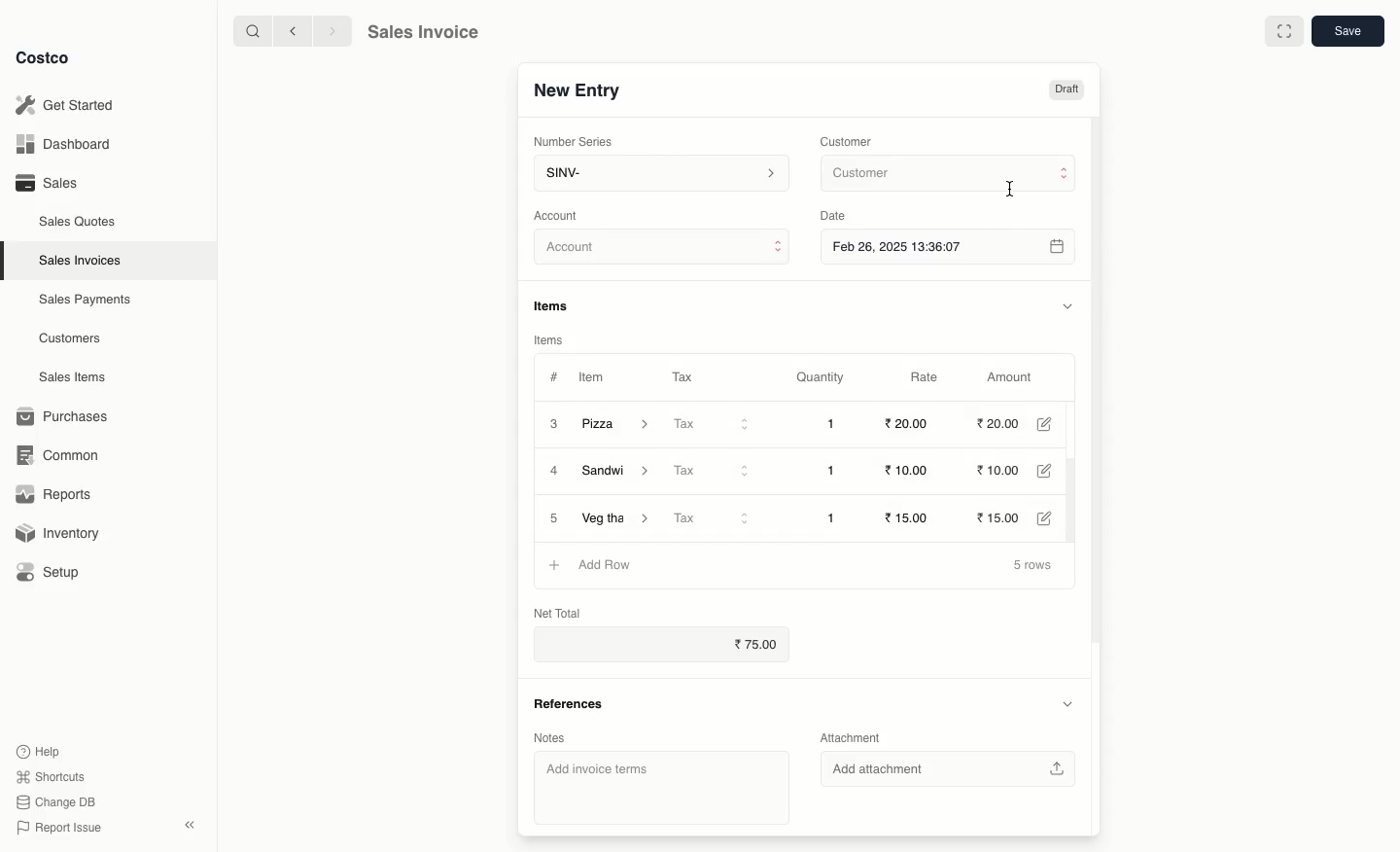 This screenshot has height=852, width=1400. Describe the element at coordinates (660, 175) in the screenshot. I see `SINV-` at that location.